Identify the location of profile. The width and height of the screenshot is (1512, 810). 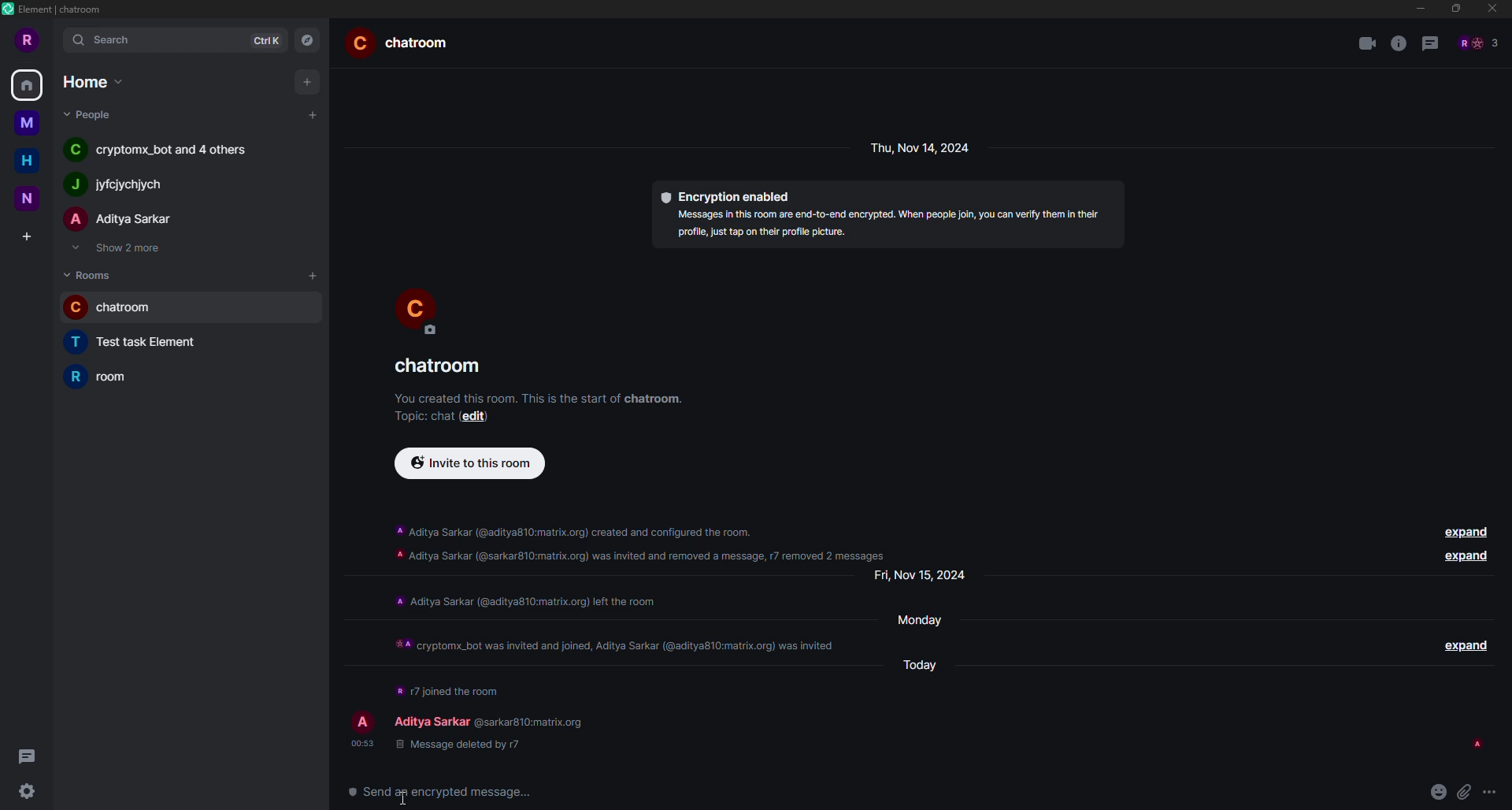
(28, 39).